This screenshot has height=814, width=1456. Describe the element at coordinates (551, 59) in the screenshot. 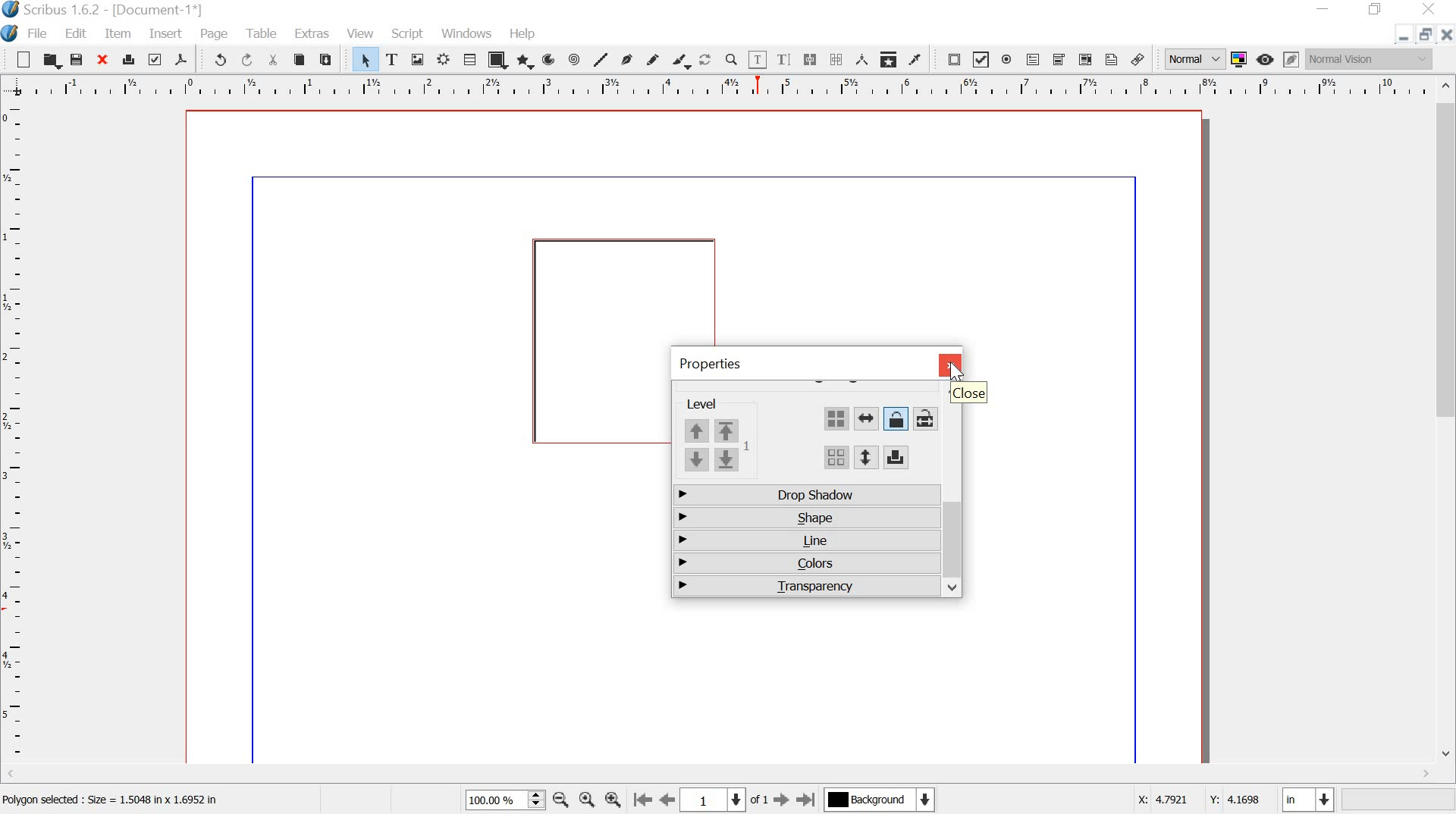

I see `arc` at that location.